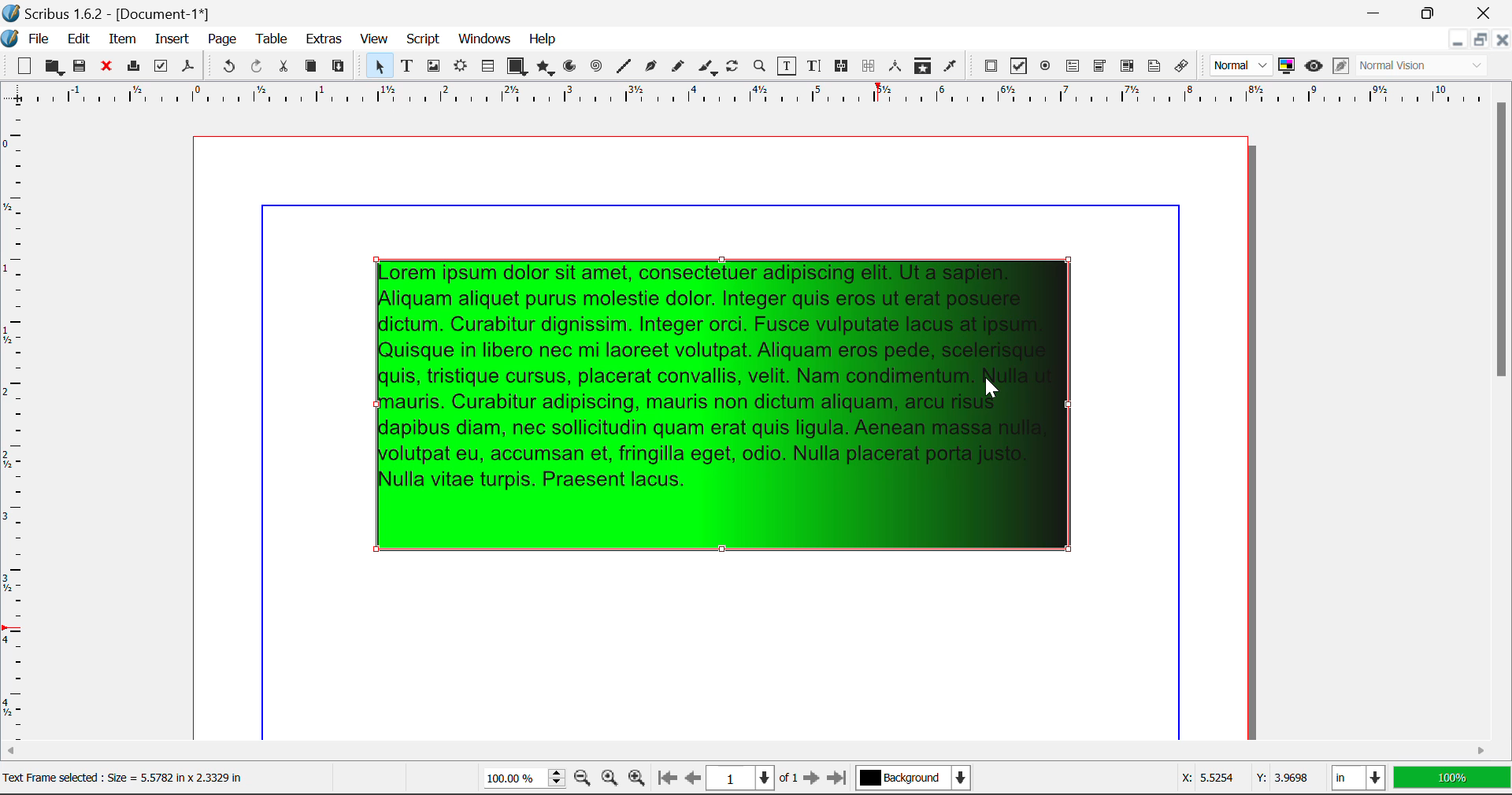  I want to click on Minimize, so click(1478, 39).